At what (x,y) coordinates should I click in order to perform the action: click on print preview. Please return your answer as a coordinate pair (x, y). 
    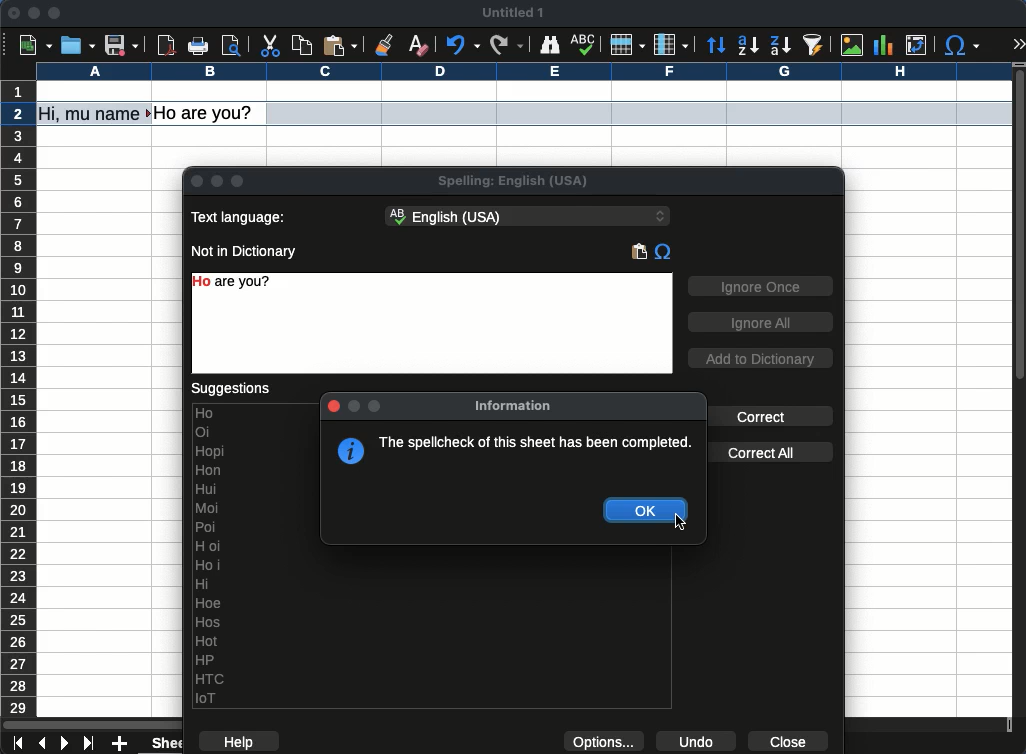
    Looking at the image, I should click on (233, 45).